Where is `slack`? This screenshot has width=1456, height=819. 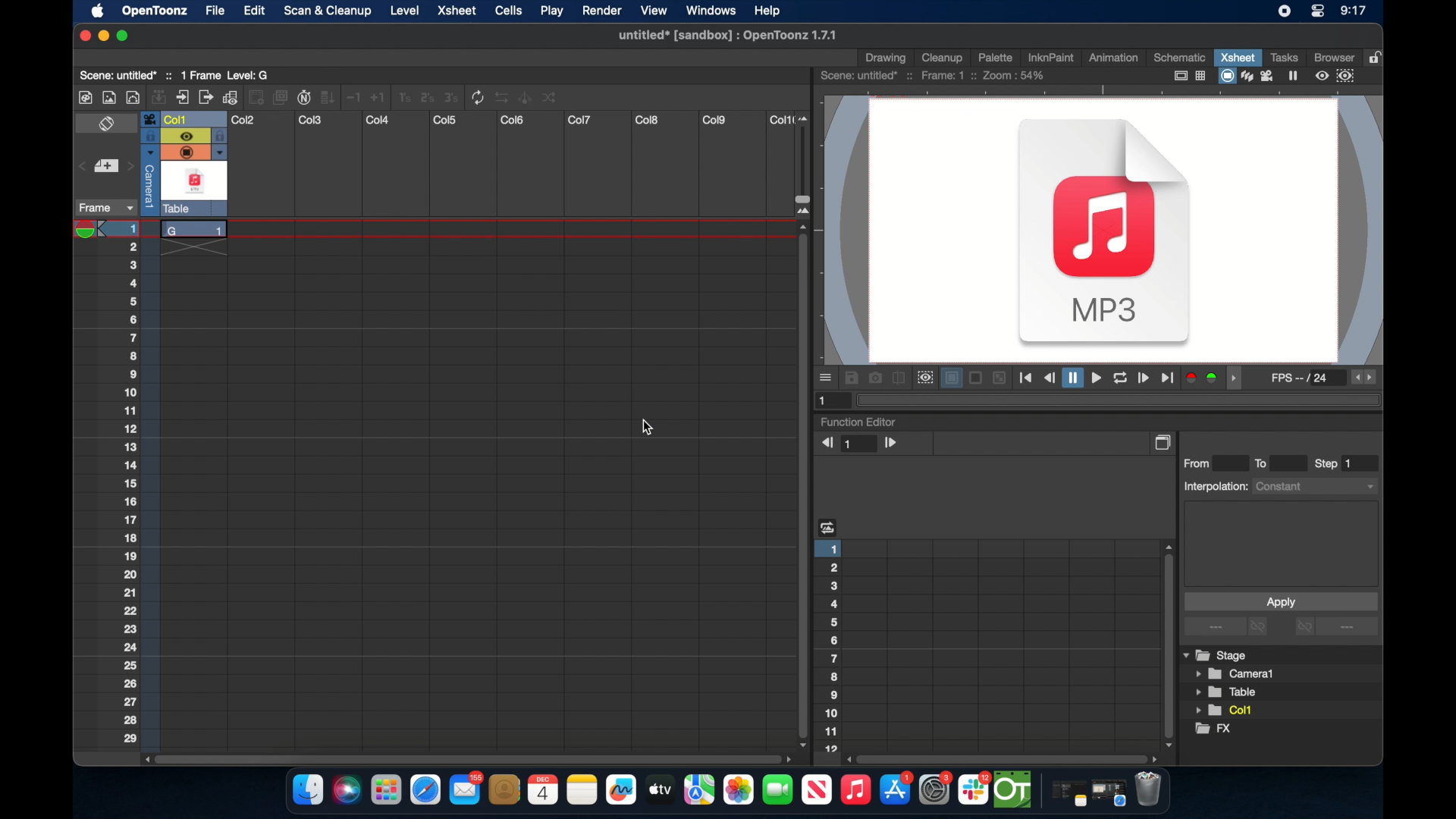
slack is located at coordinates (974, 790).